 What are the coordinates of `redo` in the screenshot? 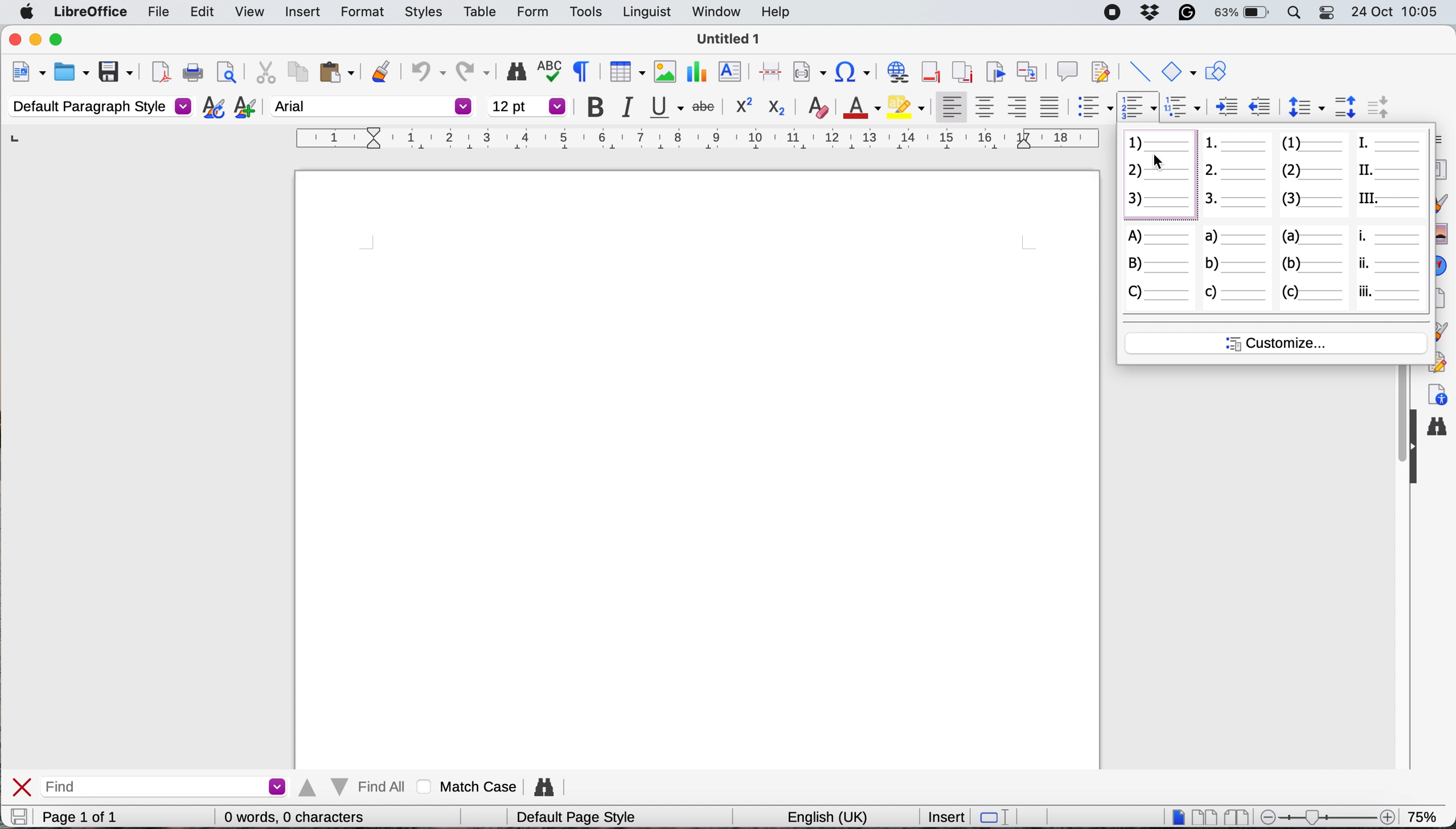 It's located at (474, 68).